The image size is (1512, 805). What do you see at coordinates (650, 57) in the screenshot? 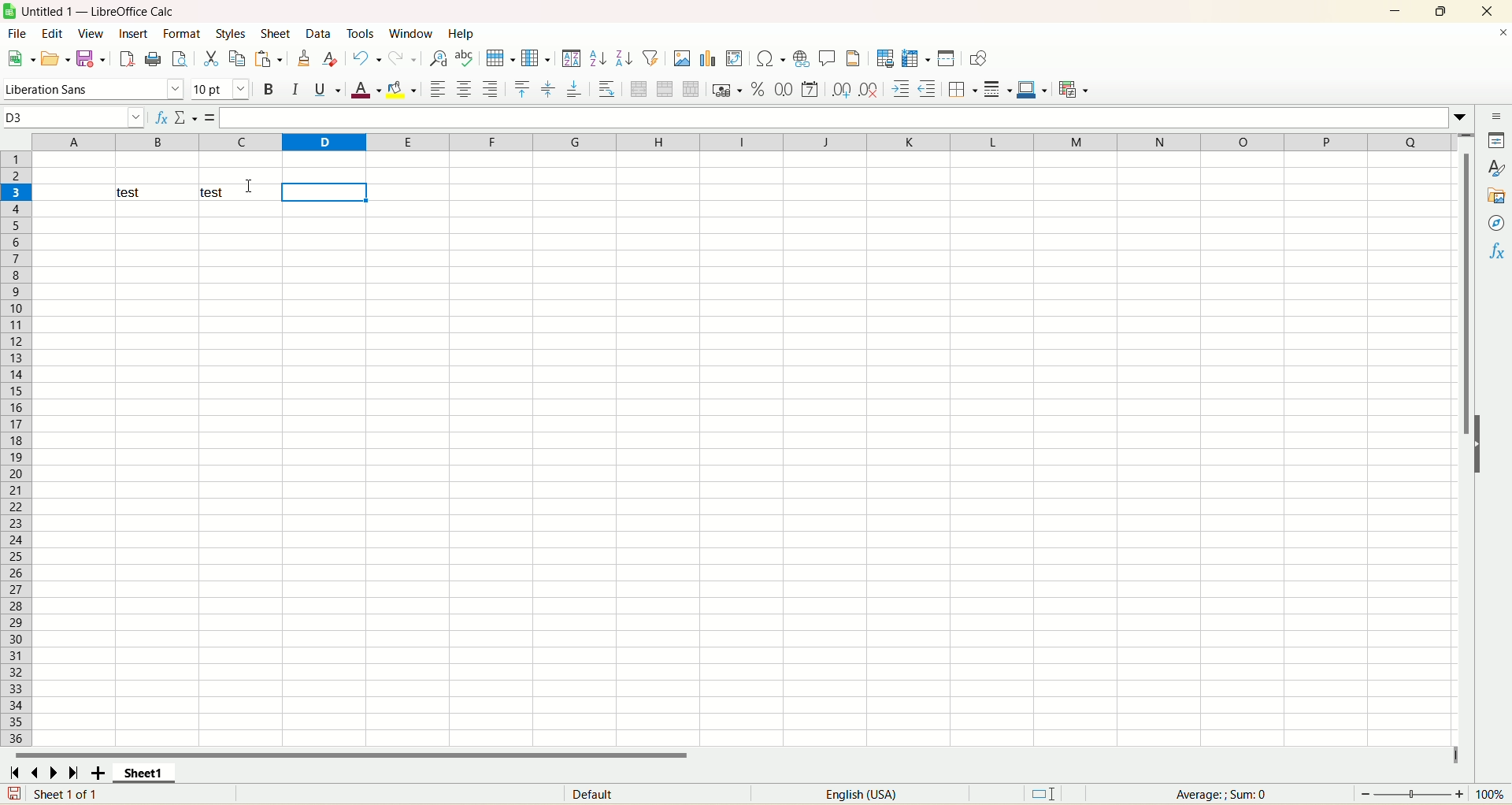
I see `auto filter` at bounding box center [650, 57].